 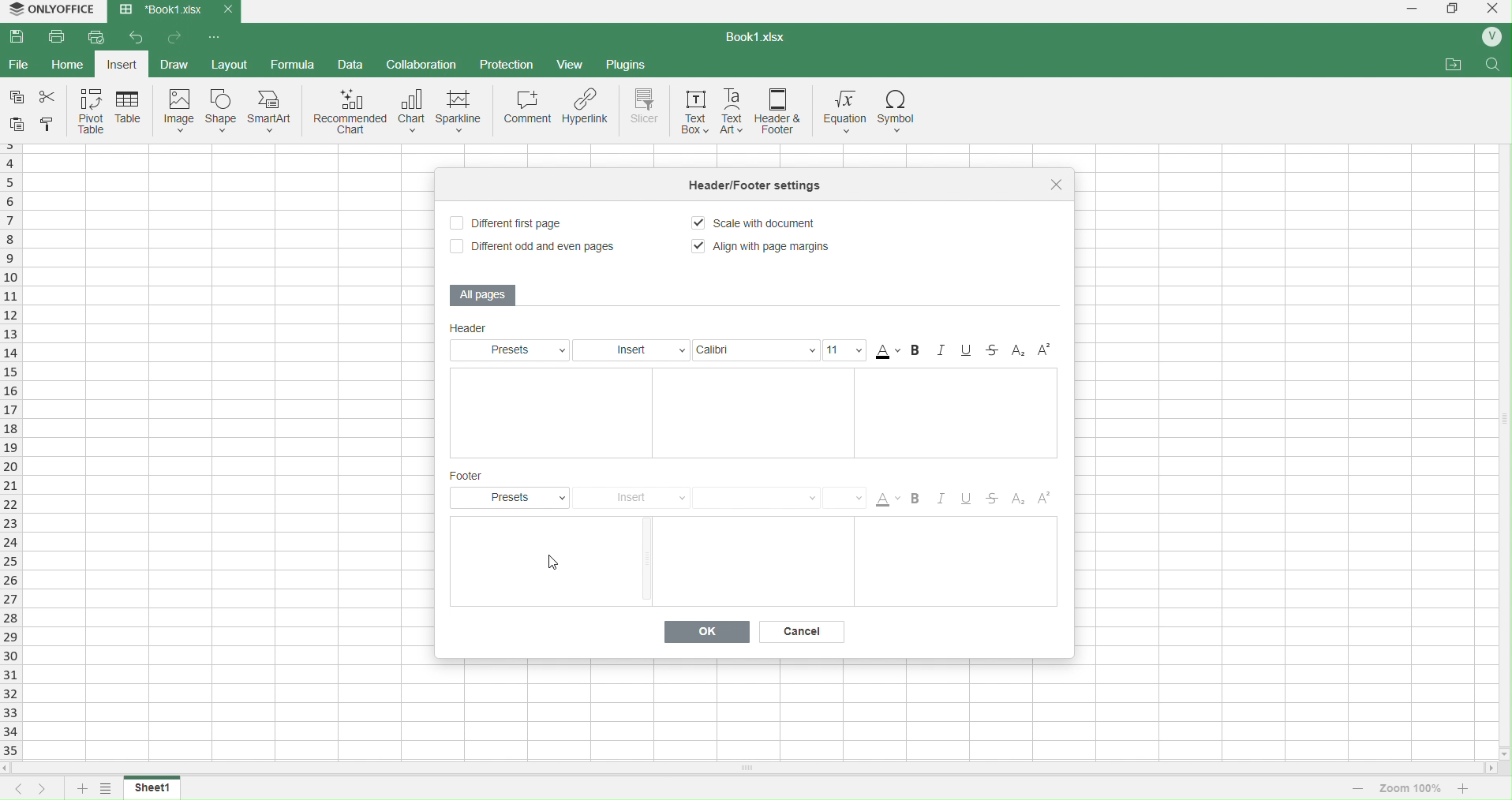 What do you see at coordinates (758, 560) in the screenshot?
I see `Text Boxes` at bounding box center [758, 560].